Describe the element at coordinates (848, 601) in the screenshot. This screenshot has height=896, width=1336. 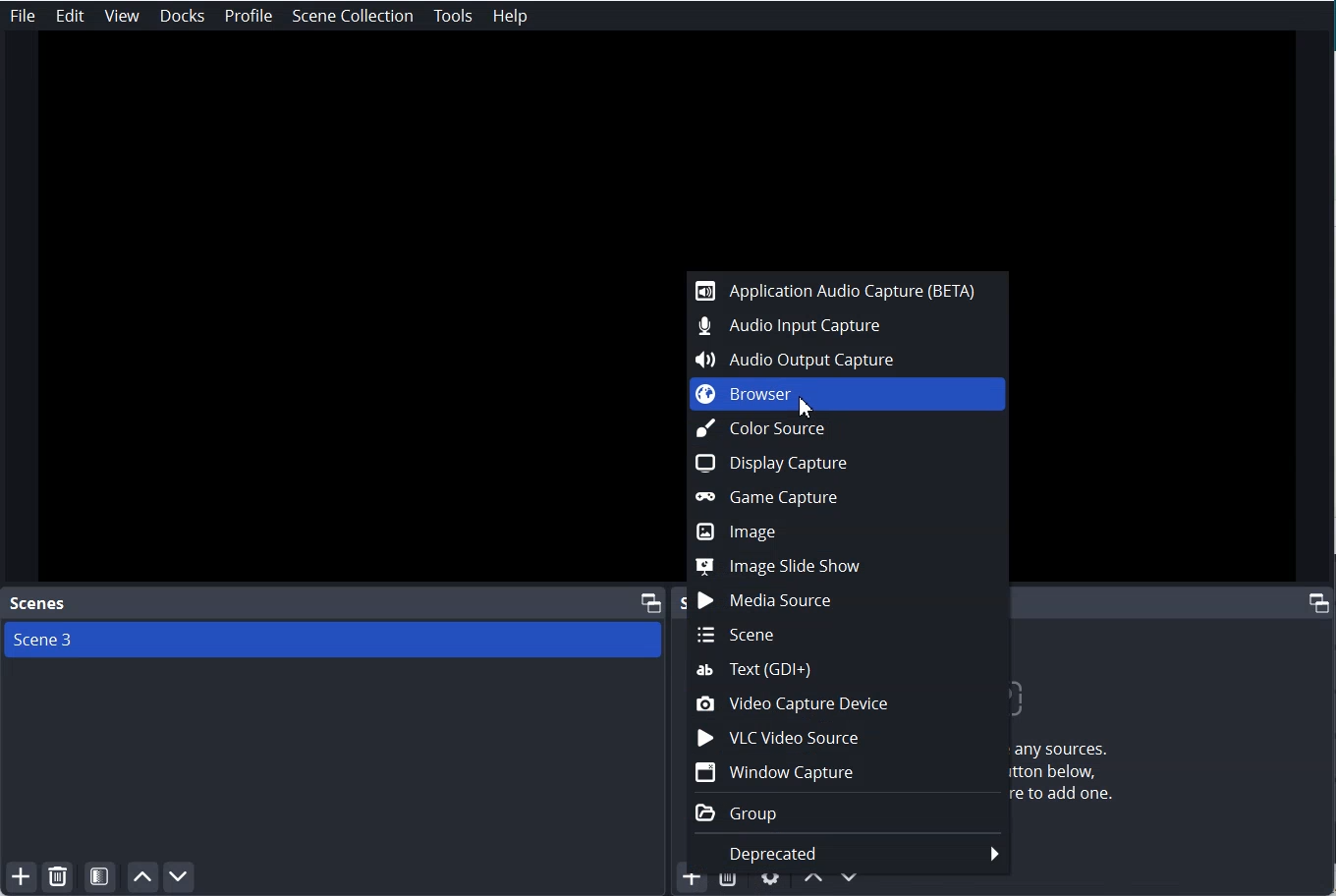
I see `Media Source` at that location.